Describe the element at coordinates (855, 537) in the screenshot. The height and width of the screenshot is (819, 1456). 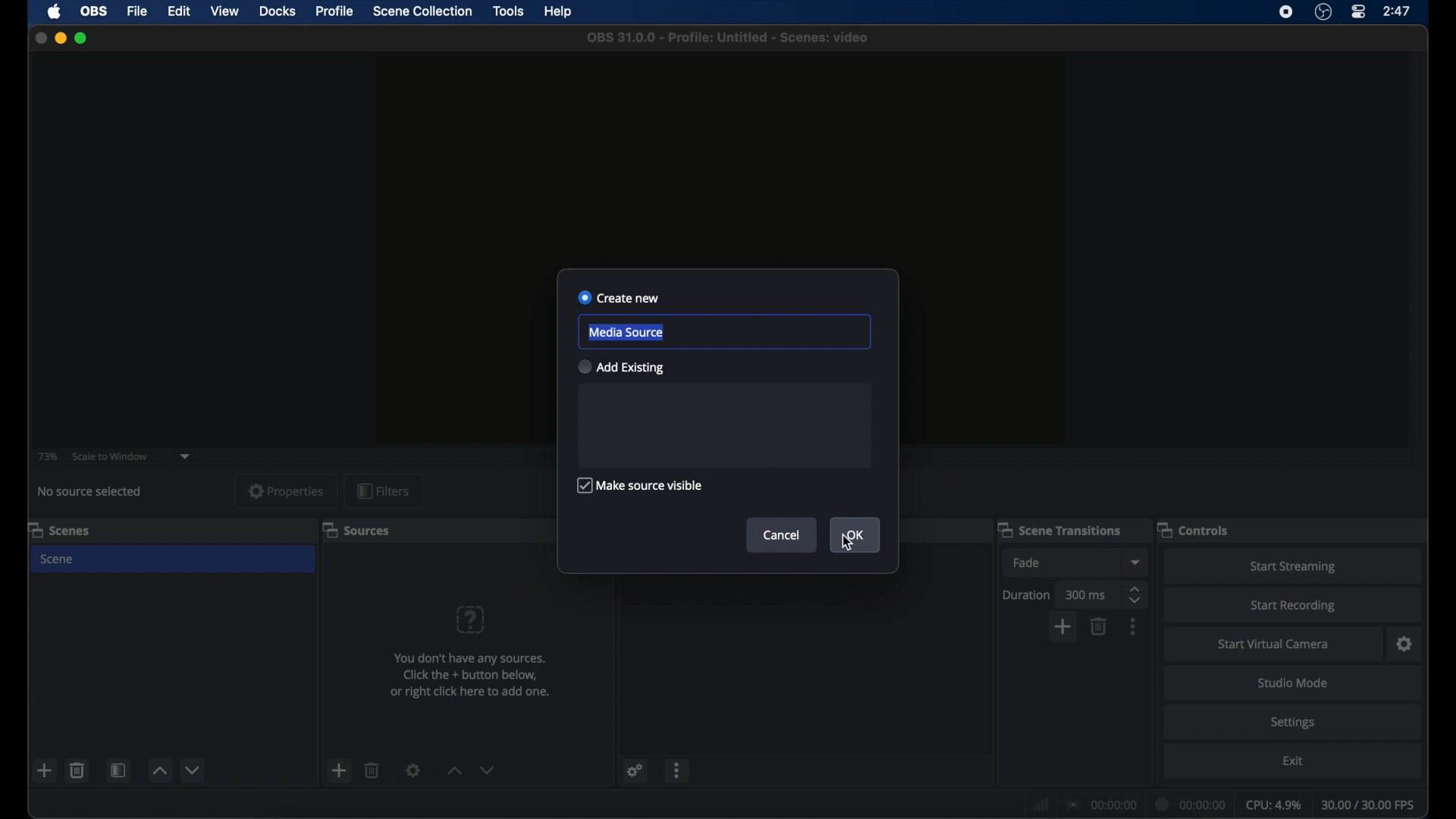
I see `ok` at that location.